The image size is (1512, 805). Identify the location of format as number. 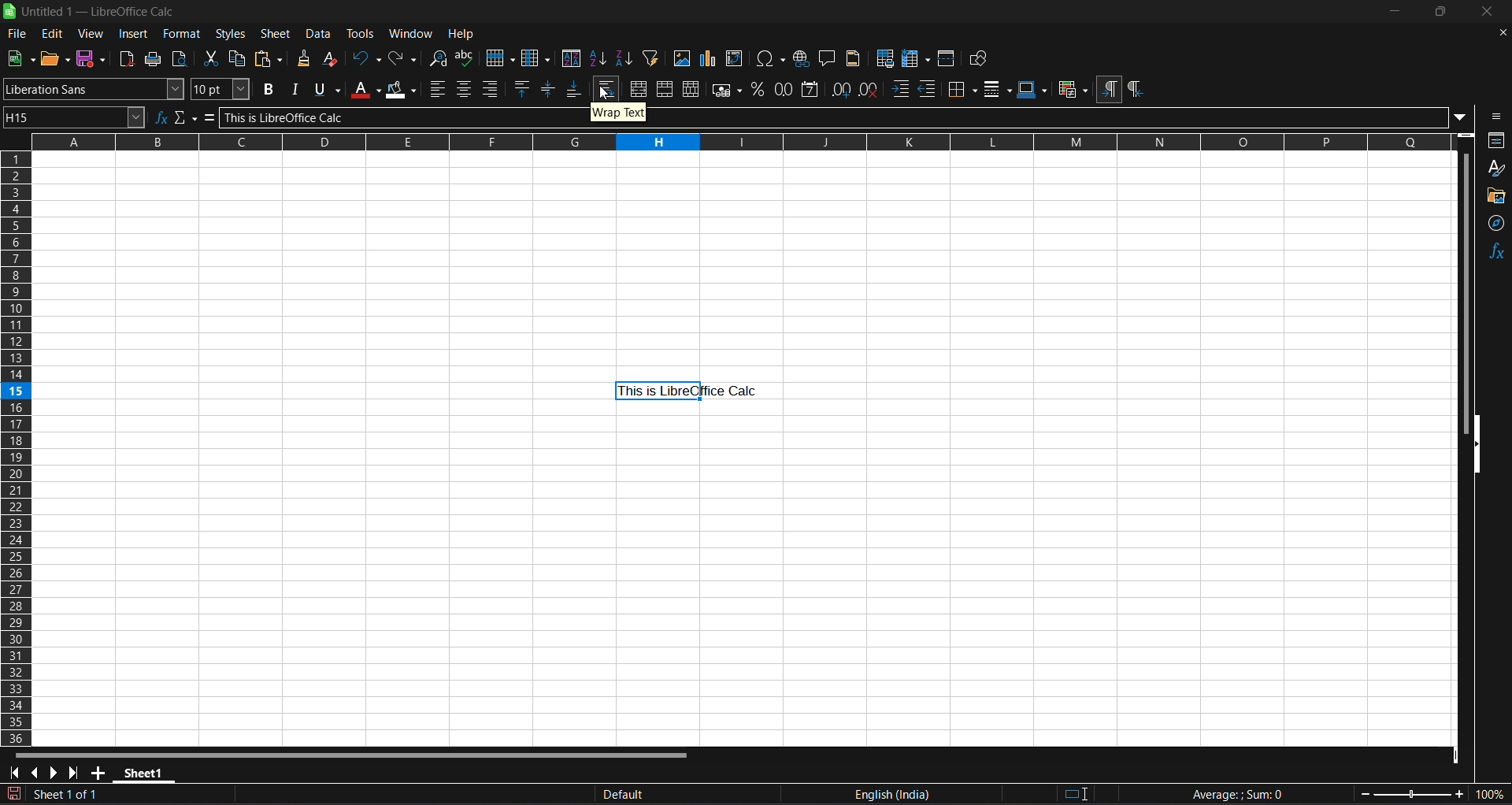
(783, 91).